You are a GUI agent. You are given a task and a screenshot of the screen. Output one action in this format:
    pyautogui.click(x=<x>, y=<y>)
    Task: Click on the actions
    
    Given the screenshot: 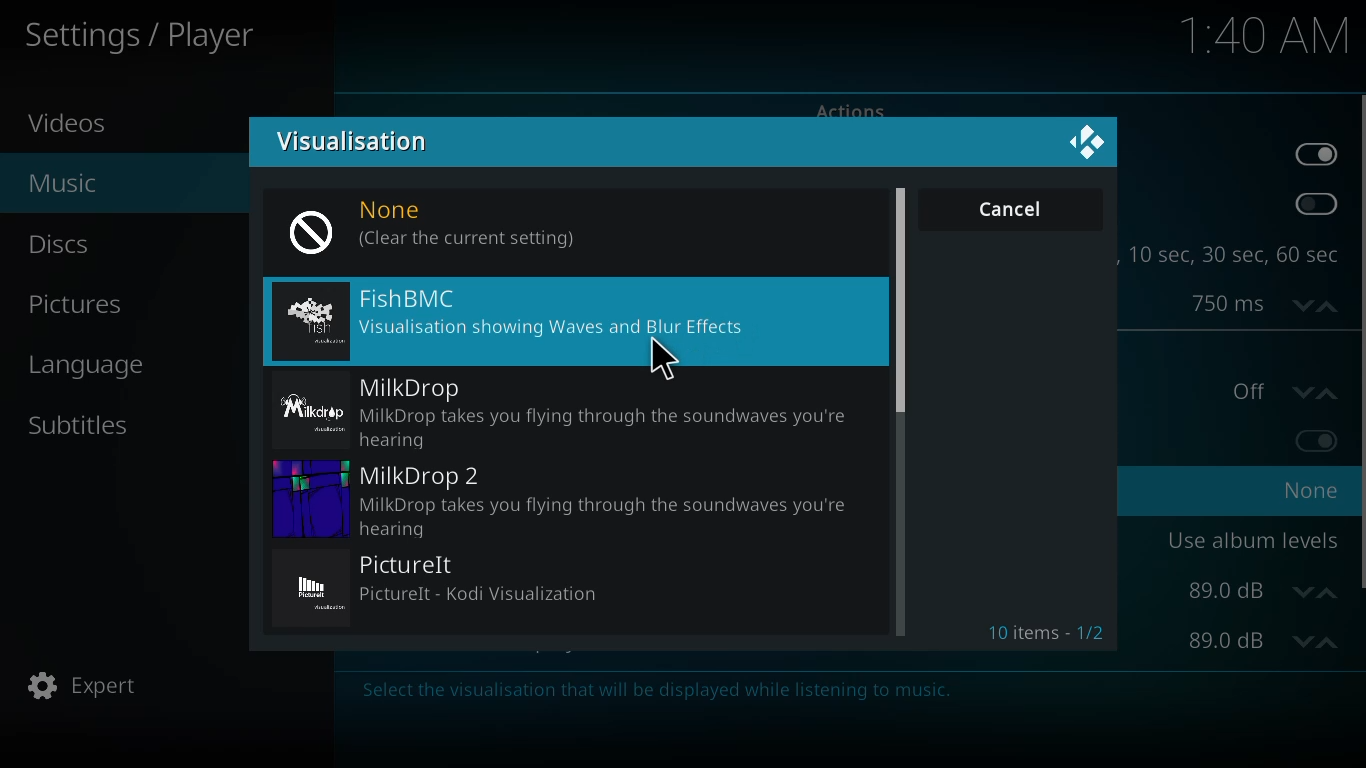 What is the action you would take?
    pyautogui.click(x=848, y=108)
    